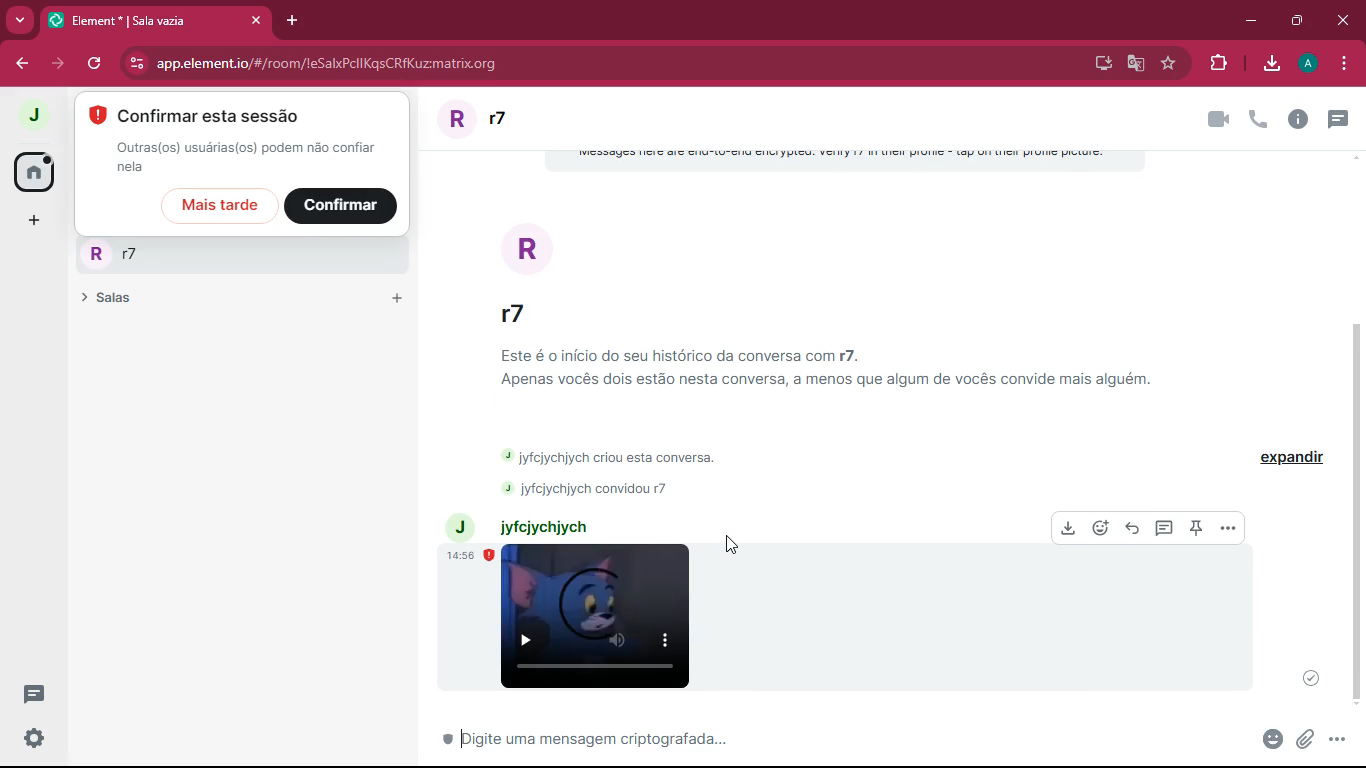 The width and height of the screenshot is (1366, 768). What do you see at coordinates (19, 22) in the screenshot?
I see `more` at bounding box center [19, 22].